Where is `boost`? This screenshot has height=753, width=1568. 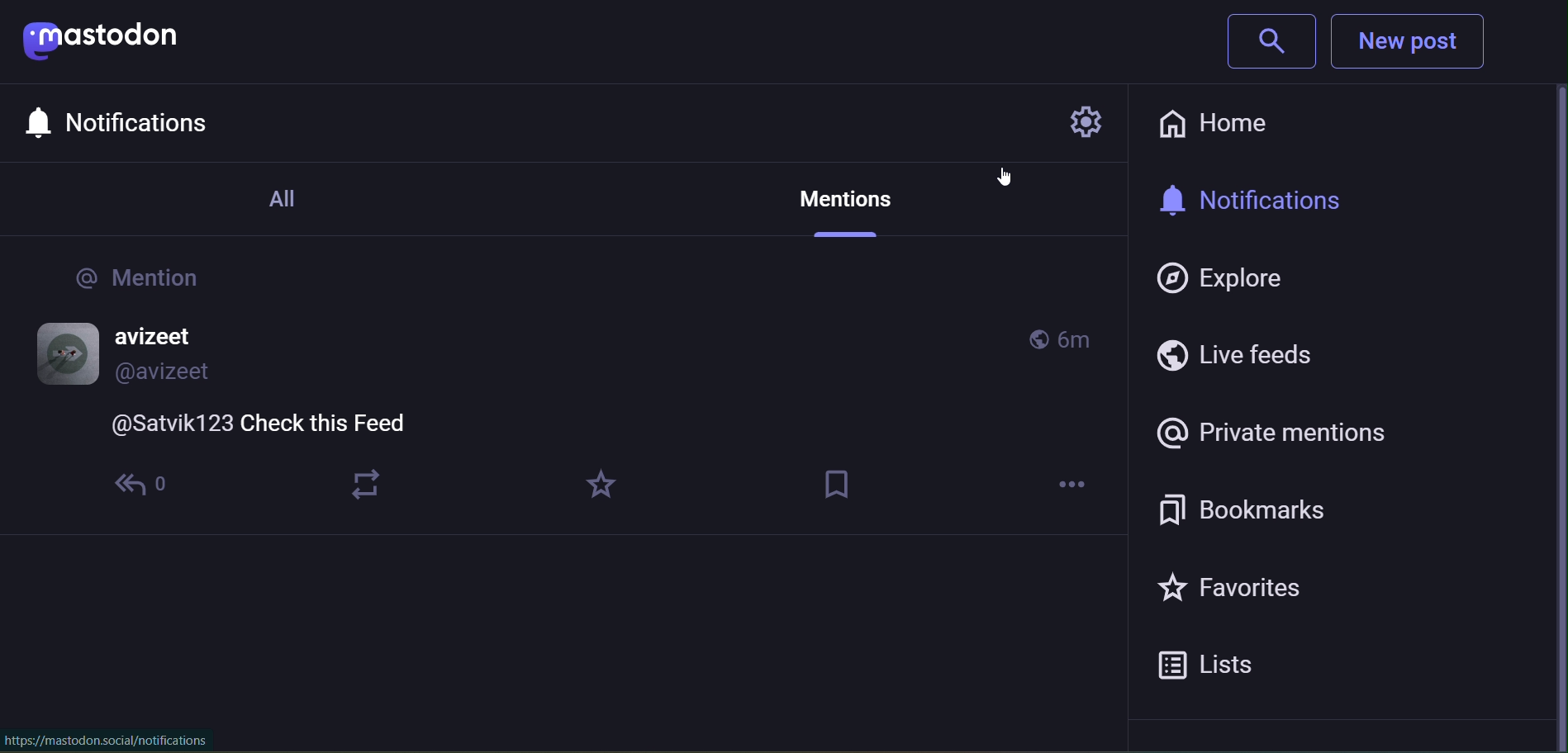 boost is located at coordinates (364, 482).